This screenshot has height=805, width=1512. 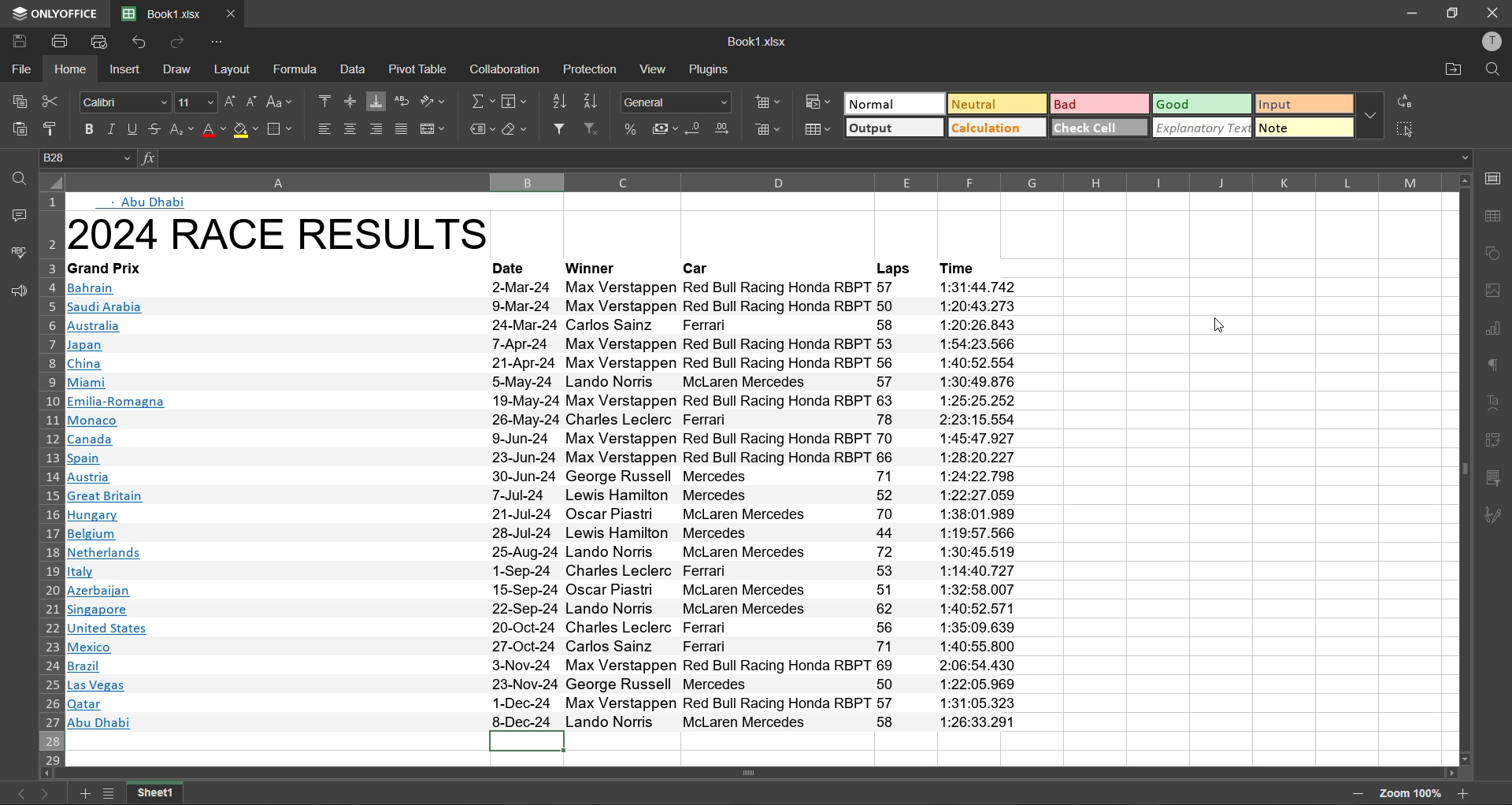 What do you see at coordinates (543, 649) in the screenshot?
I see `Mexico 27-Oct-24 Carlos Sainz Ferrari 71 1:40:55.800` at bounding box center [543, 649].